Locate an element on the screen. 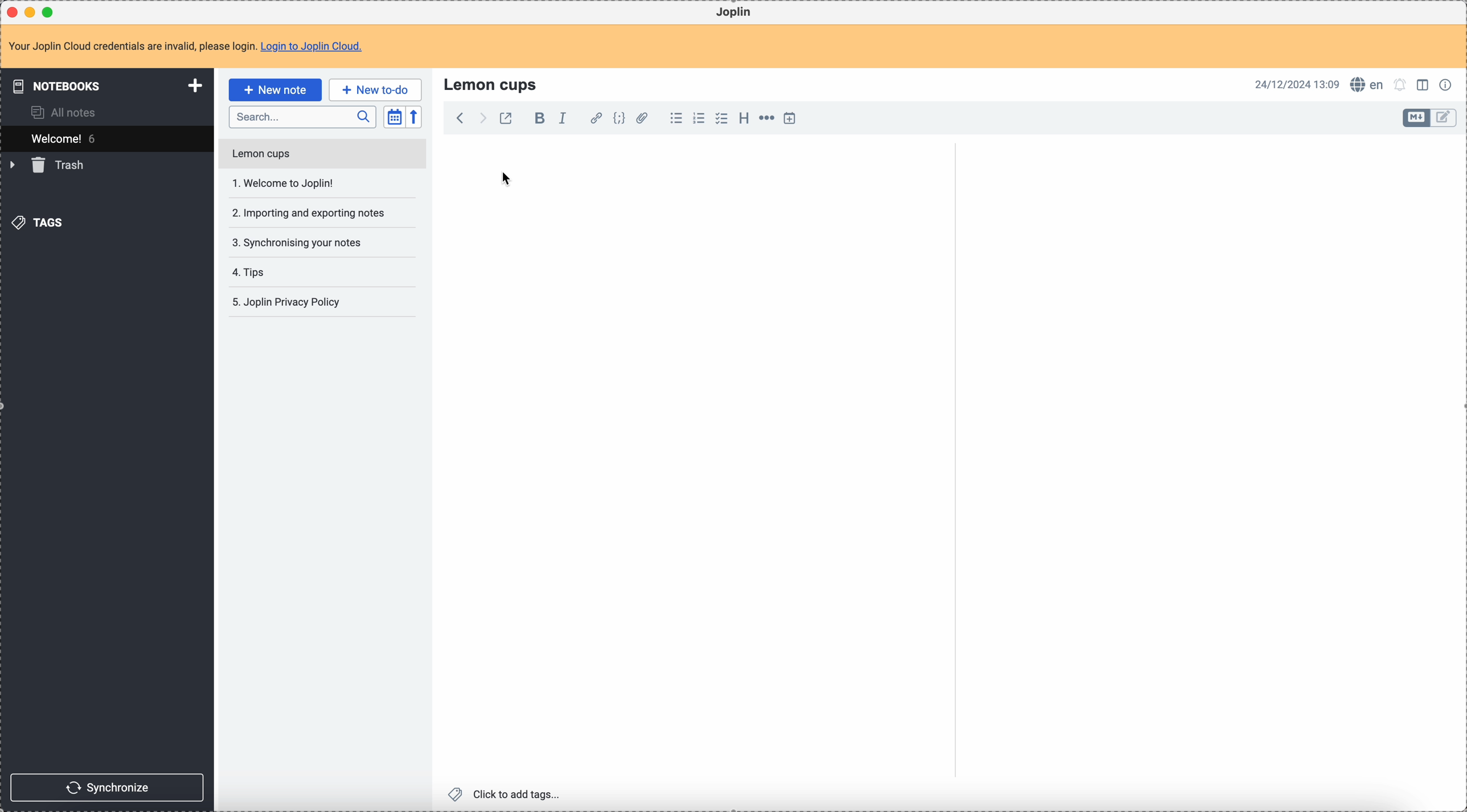  insert time is located at coordinates (789, 118).